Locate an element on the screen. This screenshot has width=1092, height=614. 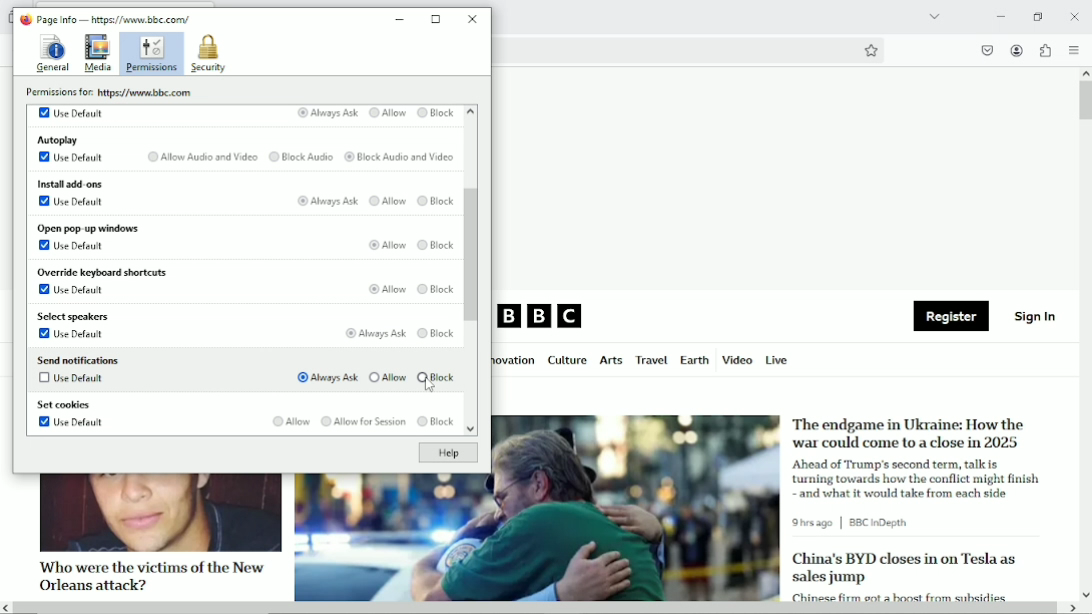
scroll down is located at coordinates (1085, 594).